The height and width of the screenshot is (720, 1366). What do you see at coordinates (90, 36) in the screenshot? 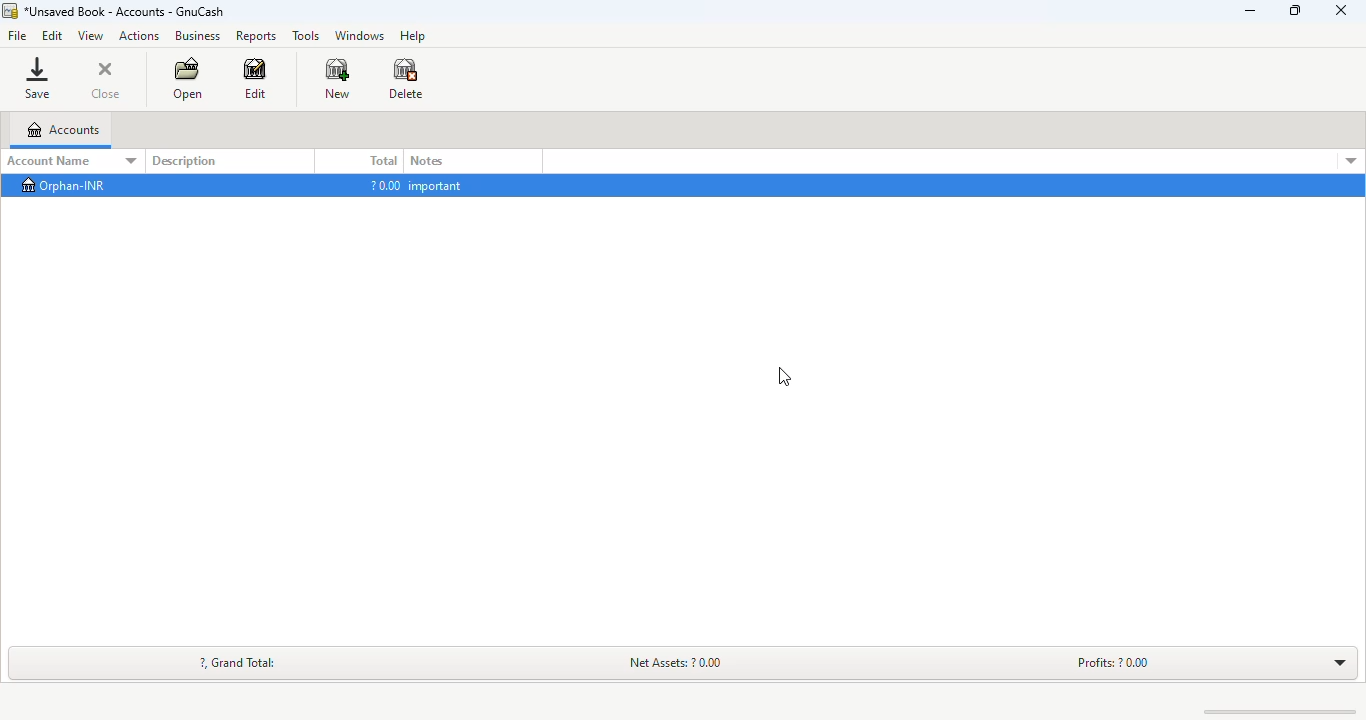
I see `view` at bounding box center [90, 36].